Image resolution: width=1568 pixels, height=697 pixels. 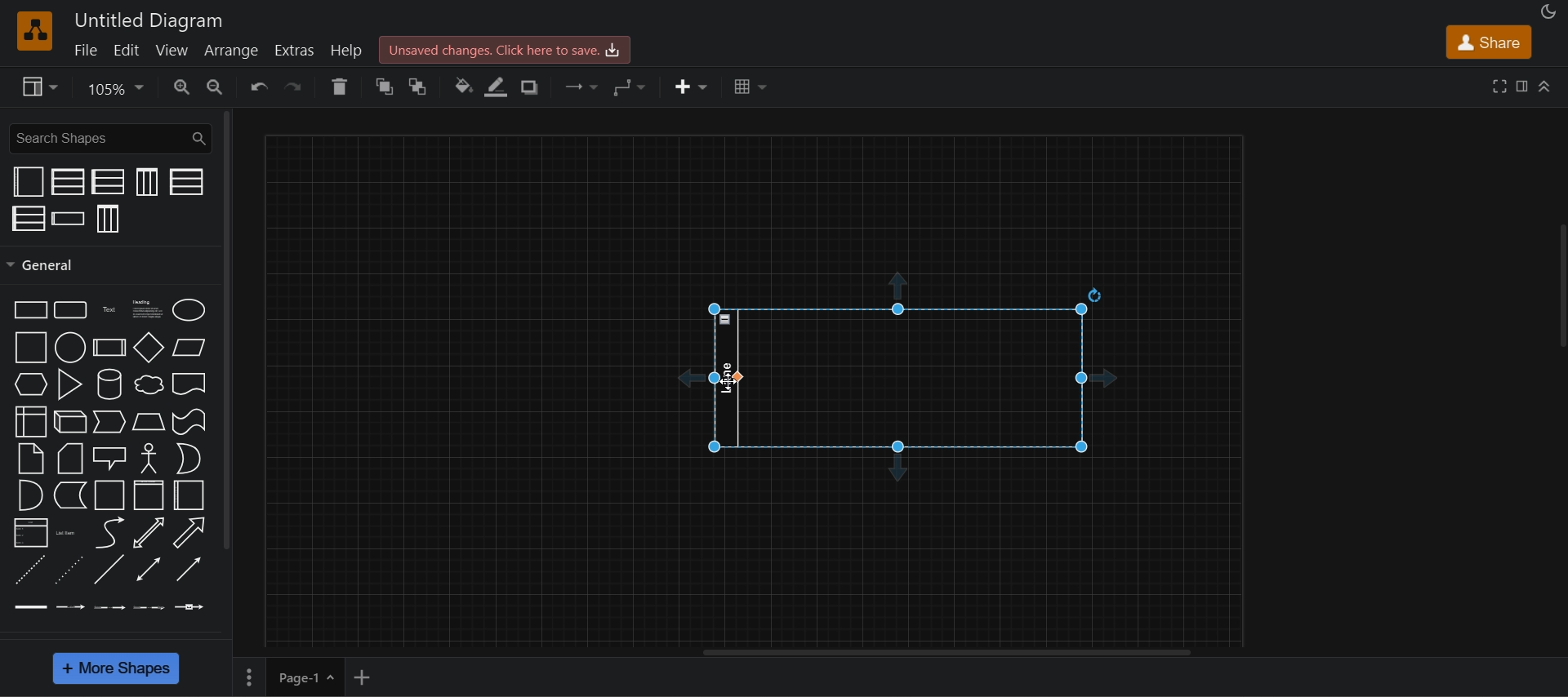 What do you see at coordinates (70, 347) in the screenshot?
I see `circle` at bounding box center [70, 347].